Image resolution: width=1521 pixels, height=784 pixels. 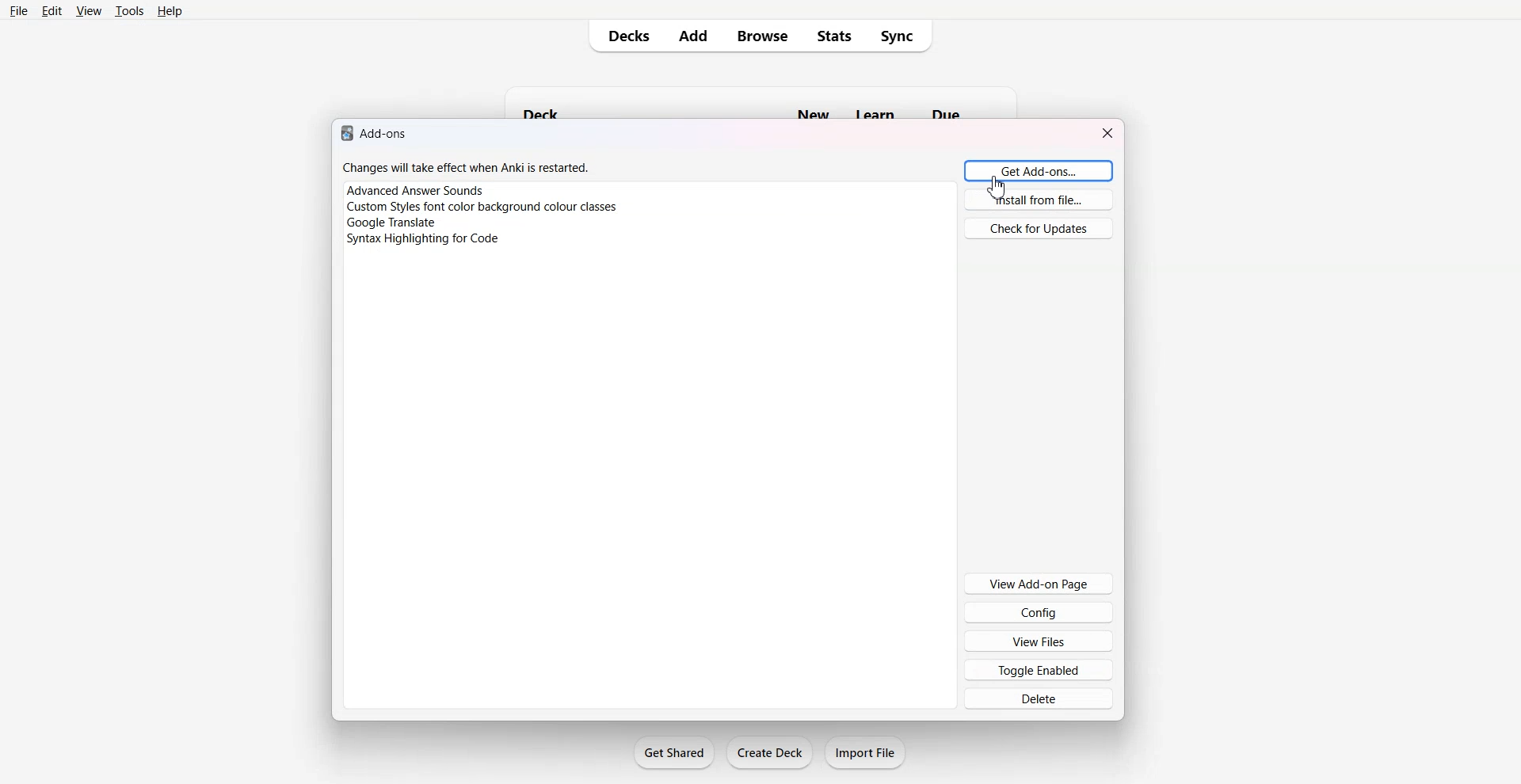 I want to click on Tools, so click(x=129, y=11).